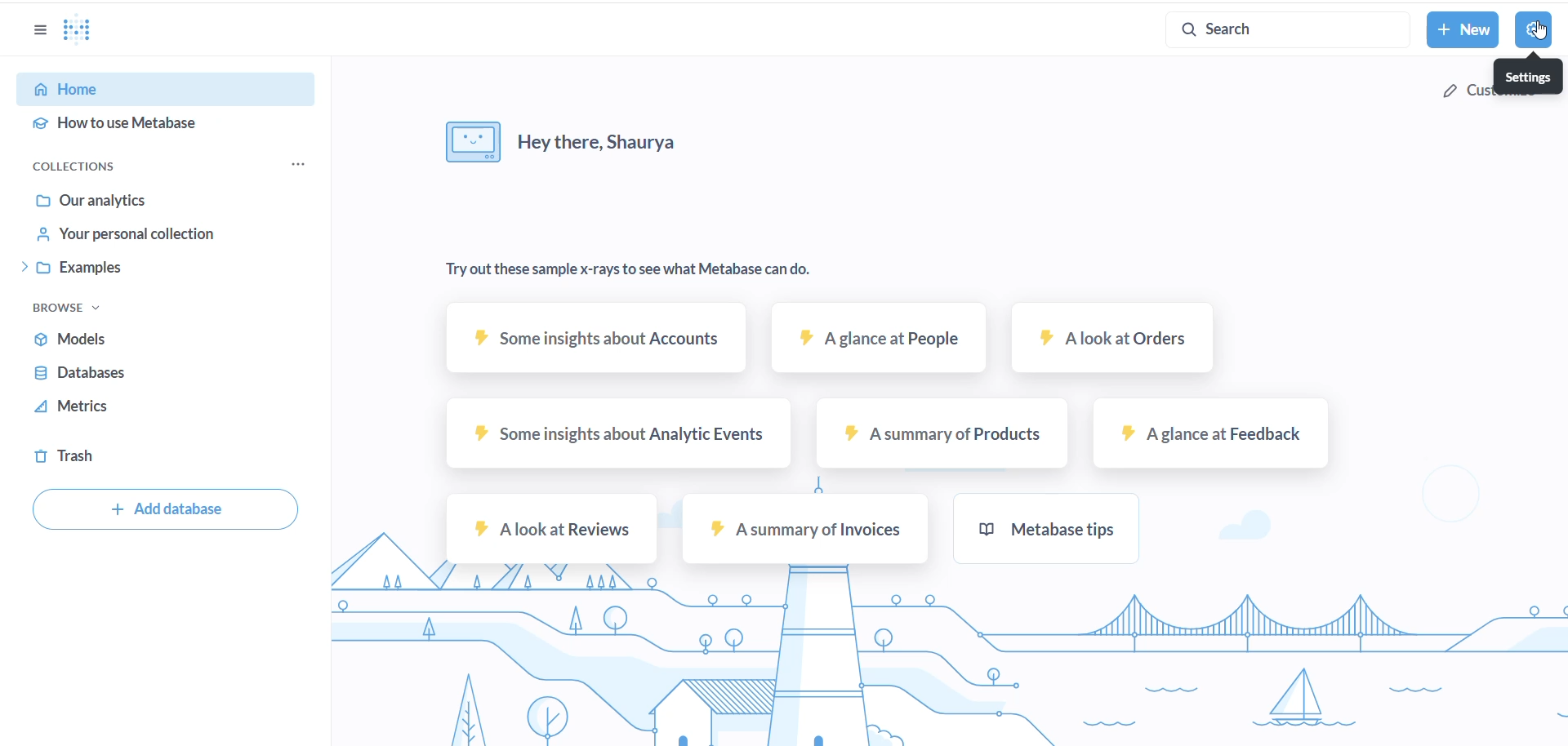  Describe the element at coordinates (302, 167) in the screenshot. I see `collection options` at that location.